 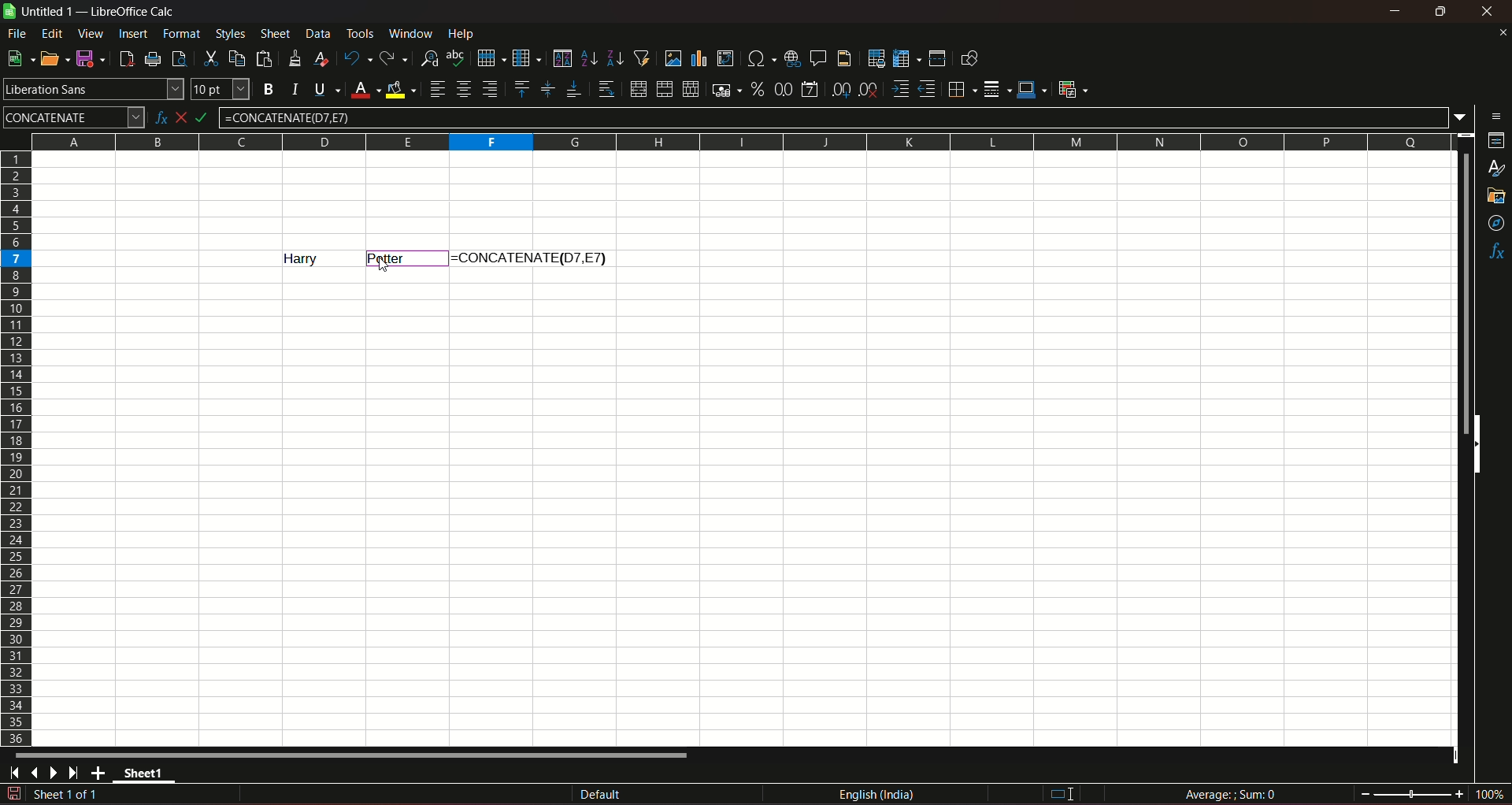 What do you see at coordinates (134, 12) in the screenshot?
I see `title` at bounding box center [134, 12].